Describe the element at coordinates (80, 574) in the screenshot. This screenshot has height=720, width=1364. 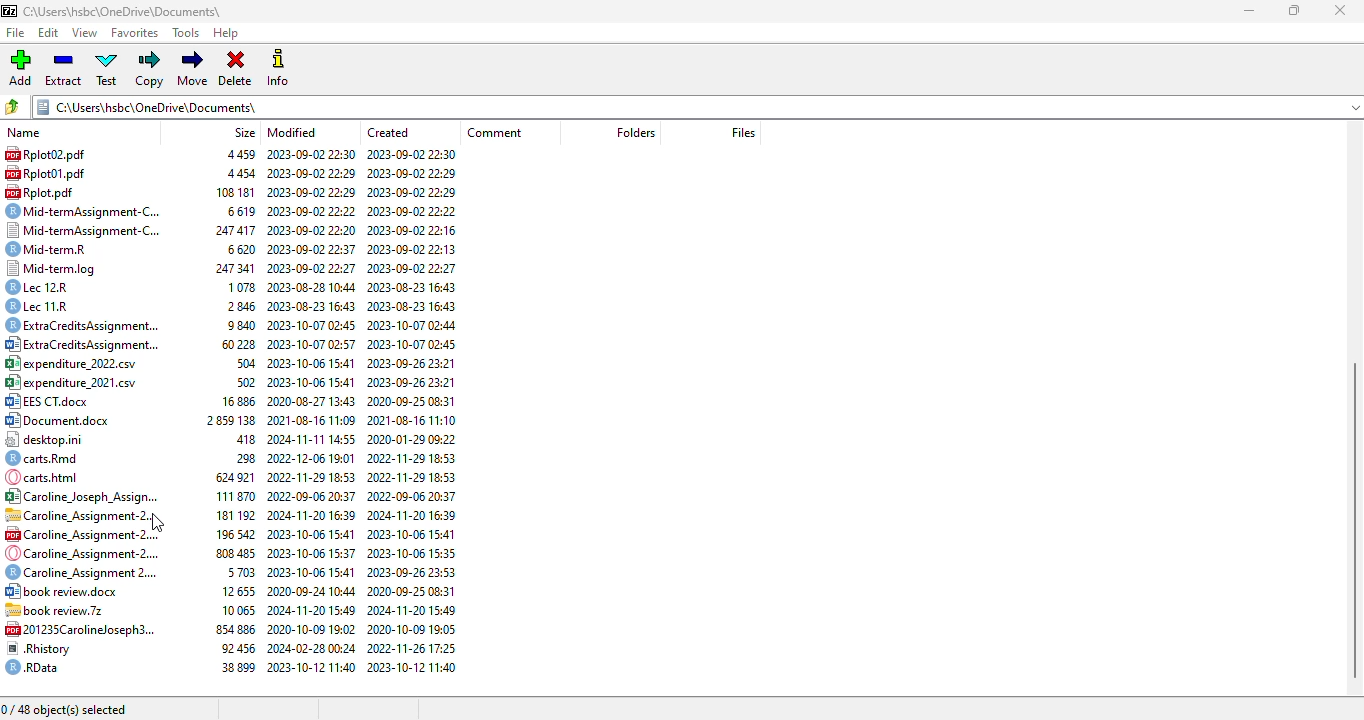
I see ` Caroline_Assignment 2...` at that location.